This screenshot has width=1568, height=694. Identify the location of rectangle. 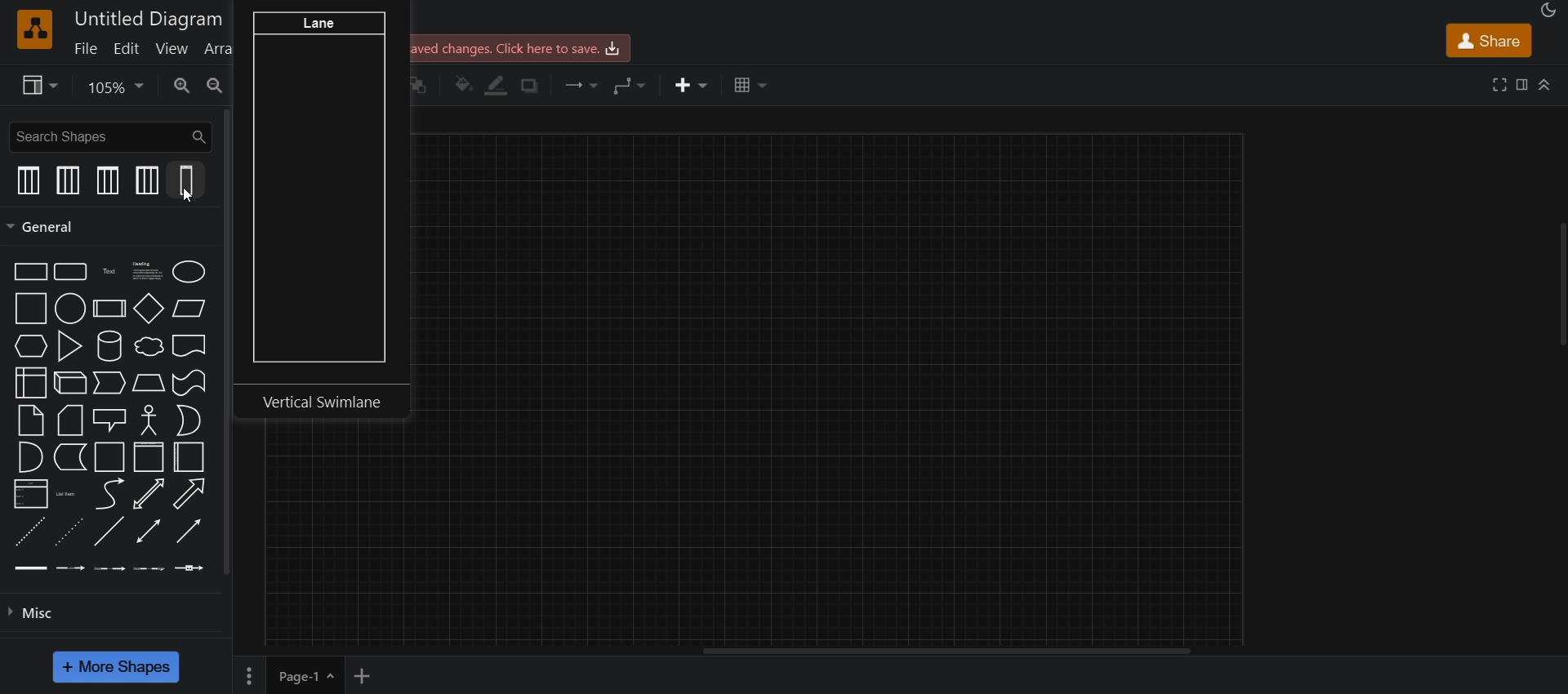
(25, 271).